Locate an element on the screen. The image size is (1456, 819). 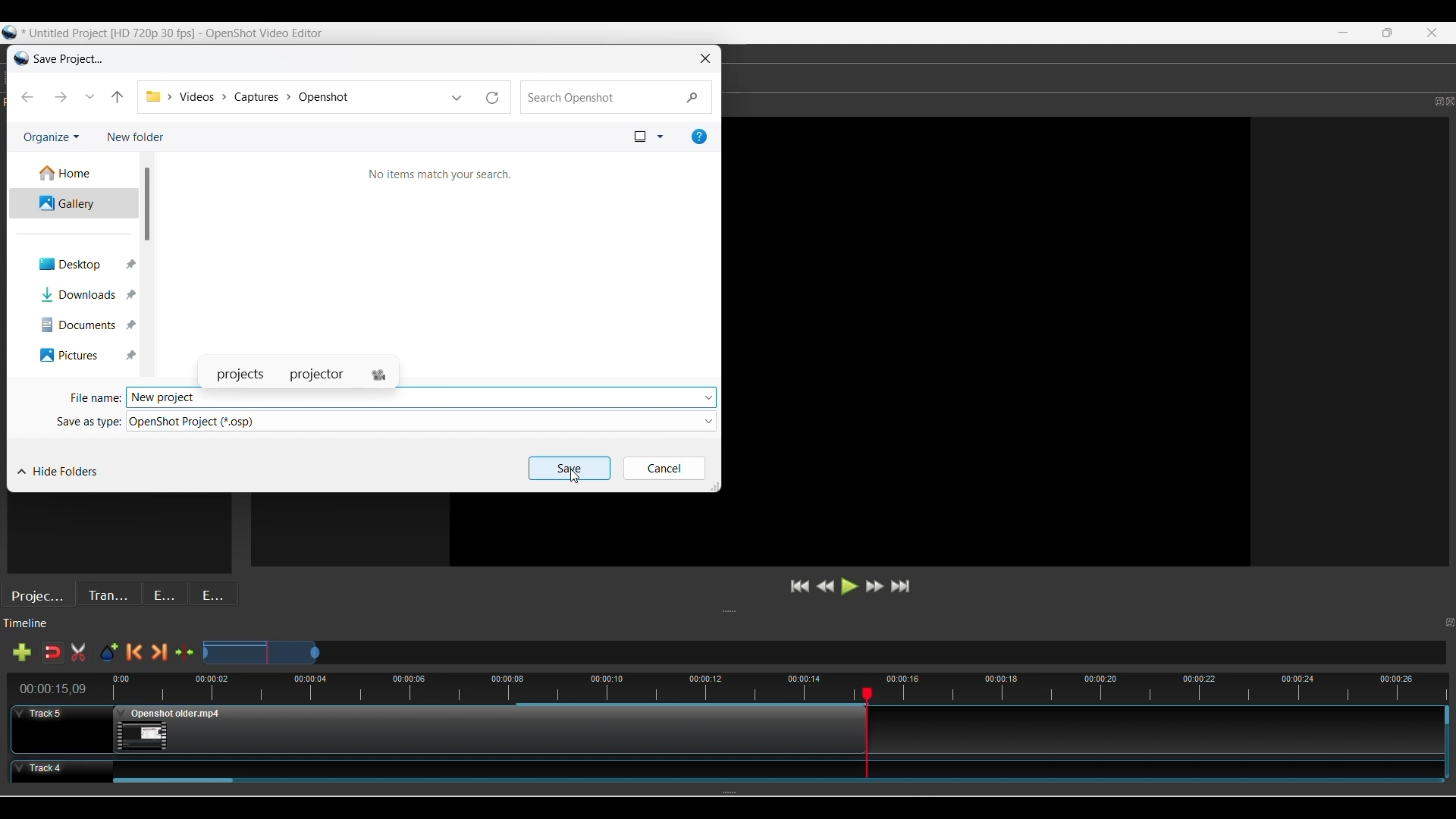
Timestamps for all frames is located at coordinates (482, 686).